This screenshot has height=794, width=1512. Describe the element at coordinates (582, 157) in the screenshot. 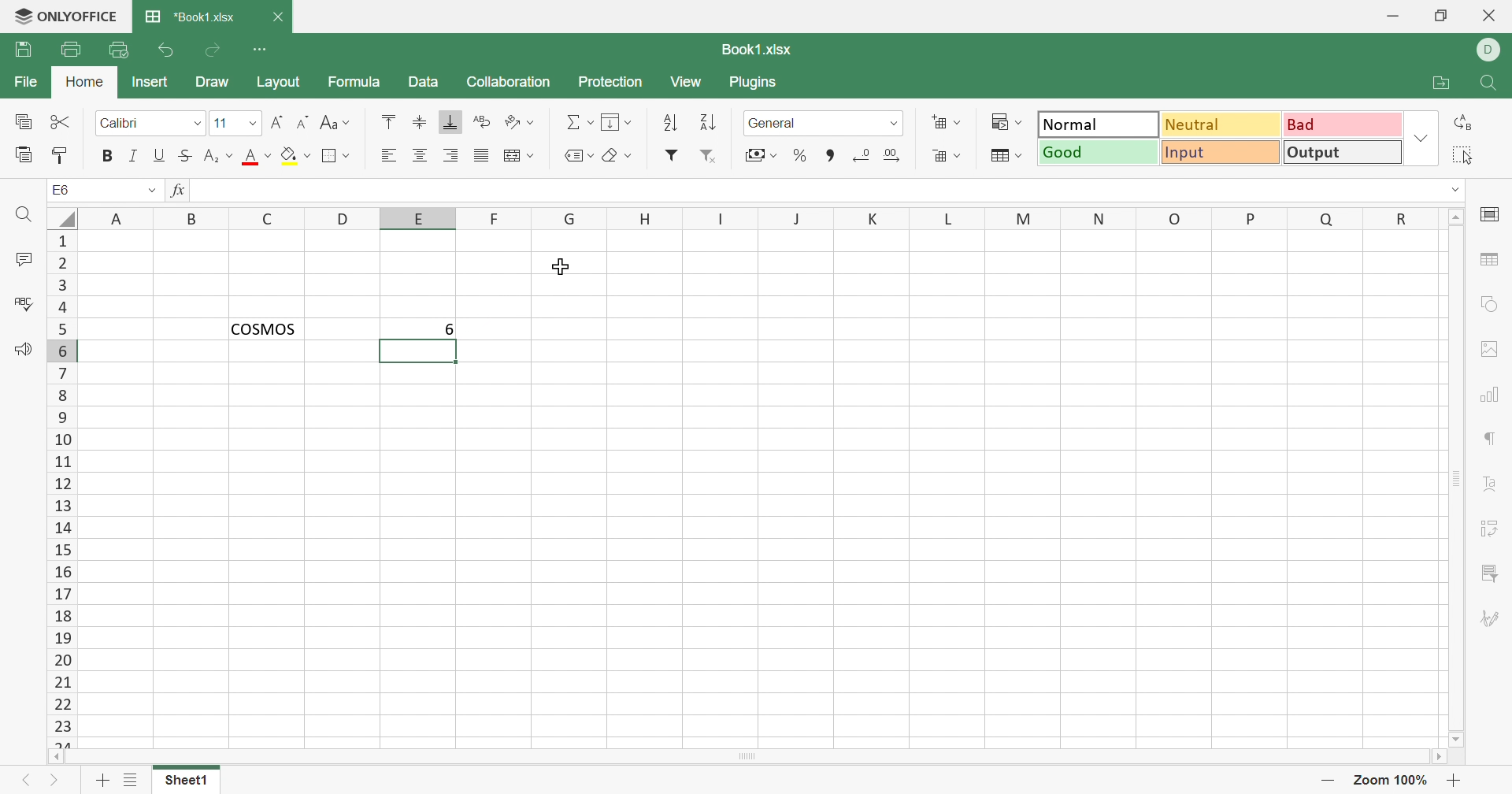

I see `Named ranges` at that location.